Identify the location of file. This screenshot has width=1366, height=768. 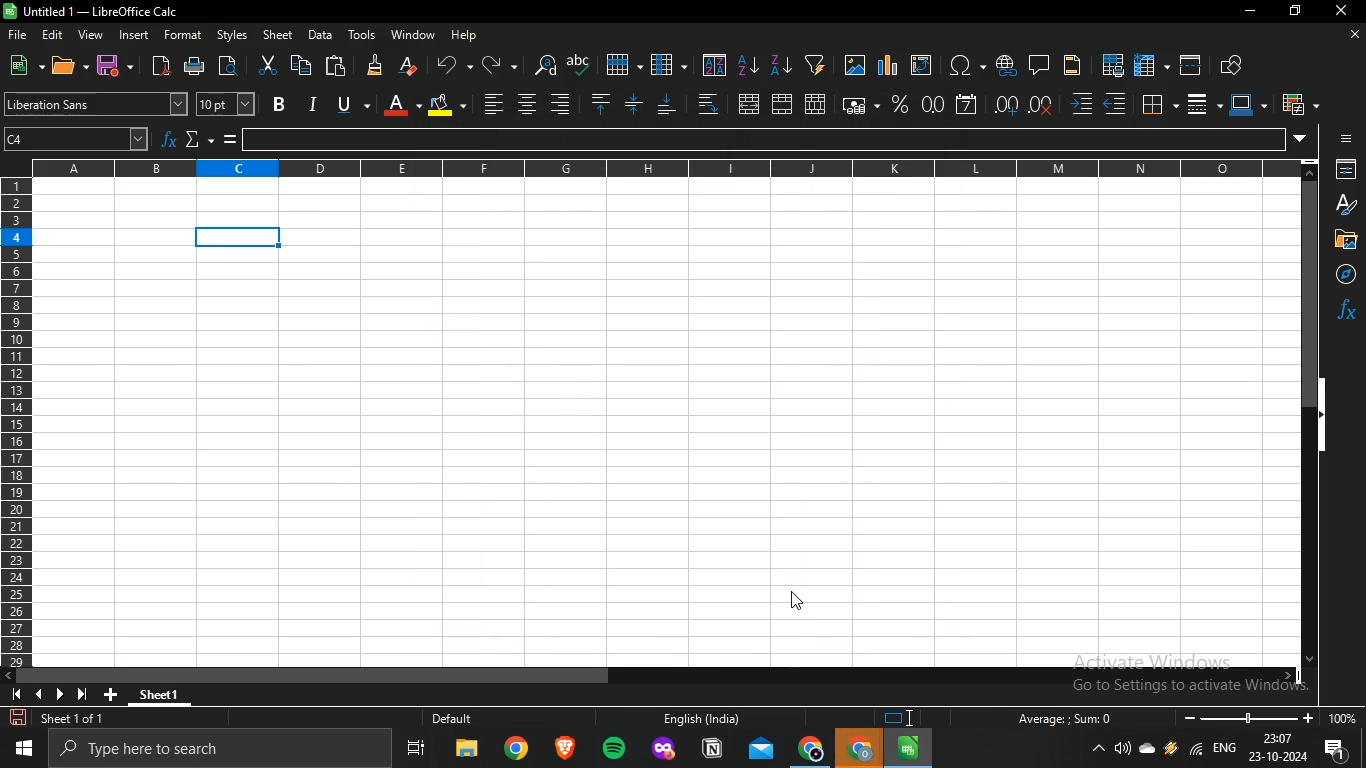
(20, 36).